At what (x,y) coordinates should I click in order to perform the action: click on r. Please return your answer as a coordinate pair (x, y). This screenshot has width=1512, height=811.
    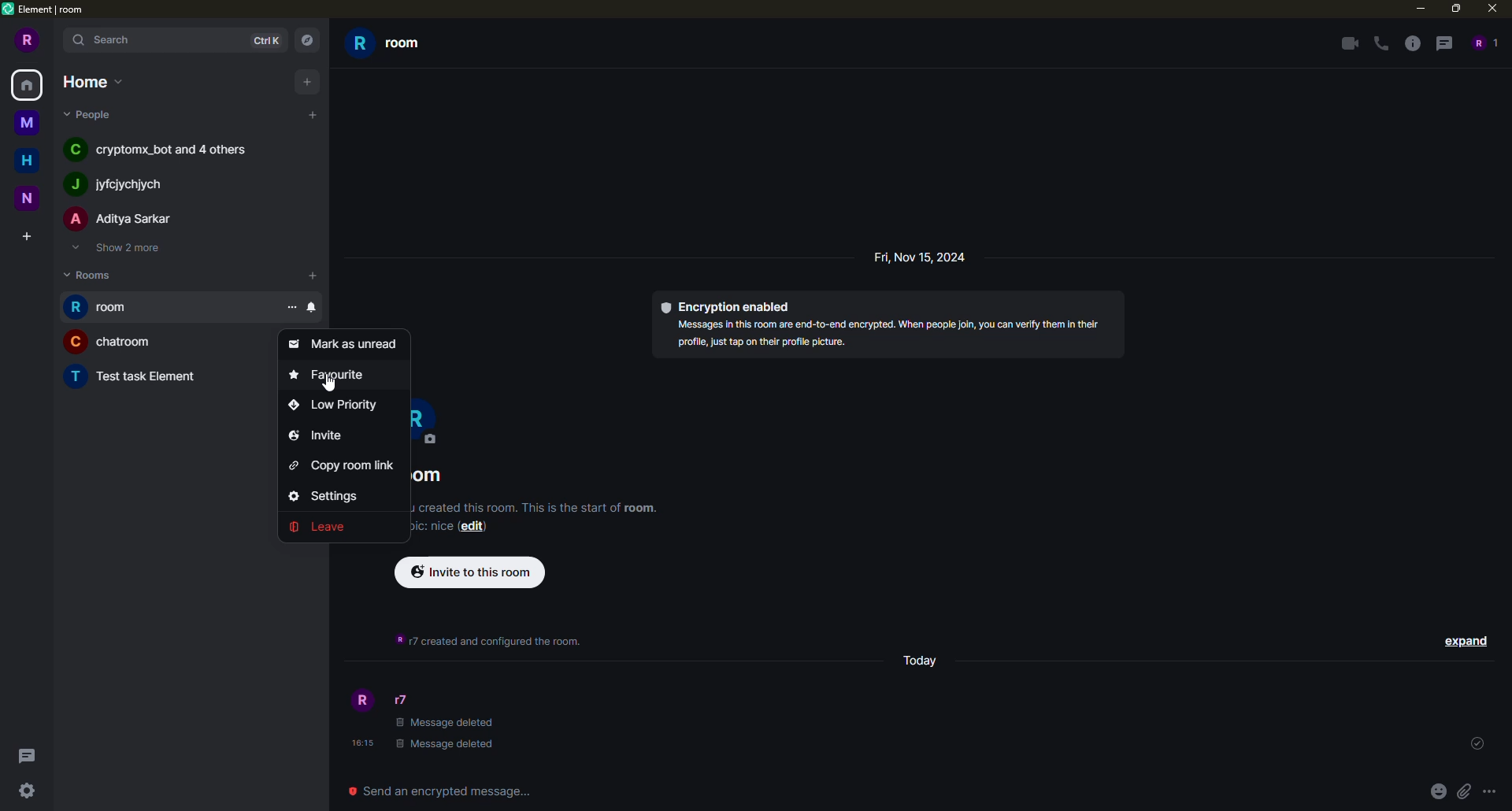
    Looking at the image, I should click on (433, 418).